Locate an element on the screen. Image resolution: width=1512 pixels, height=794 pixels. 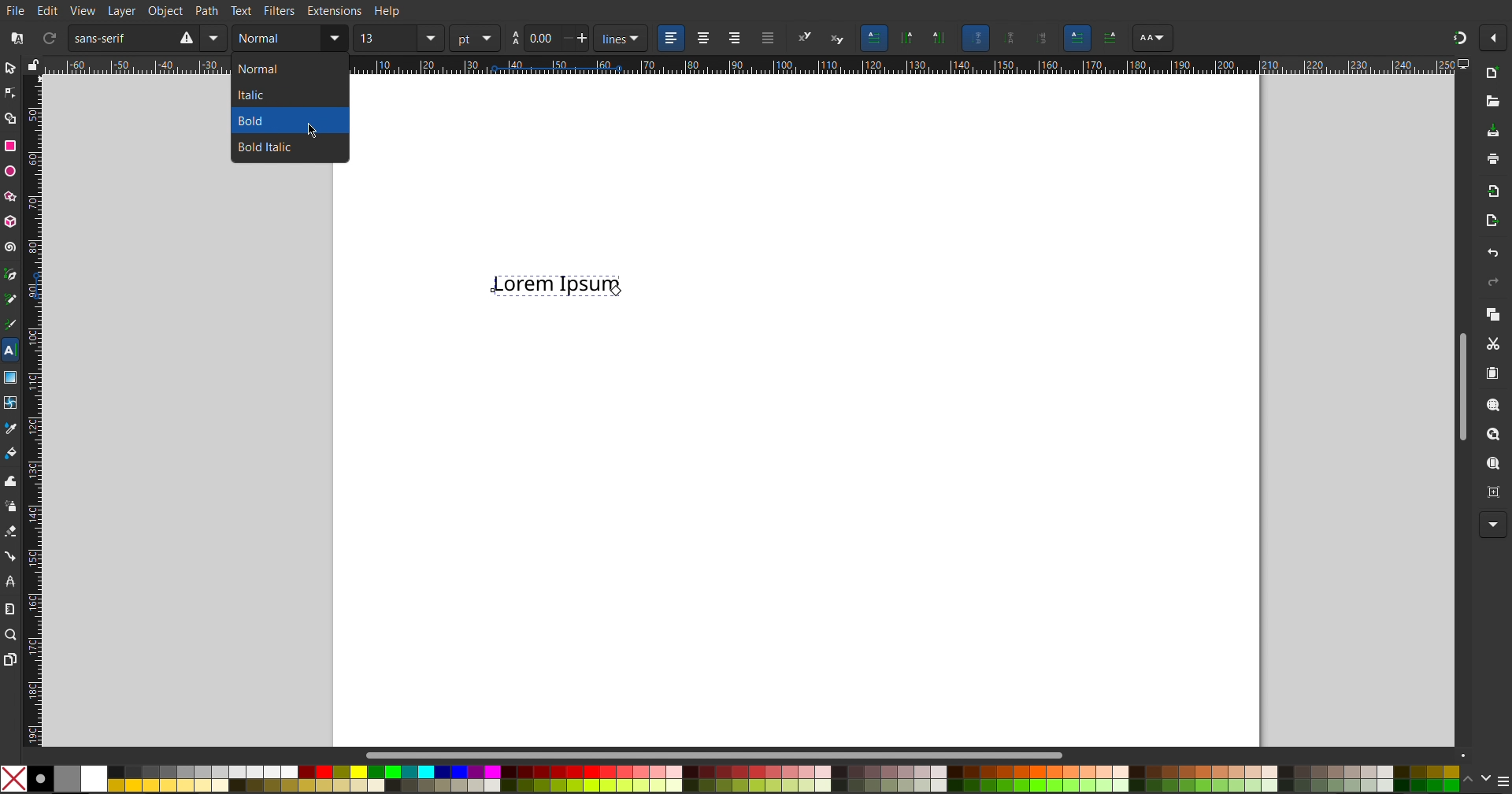
Upright glyph orientation is located at coordinates (1011, 39).